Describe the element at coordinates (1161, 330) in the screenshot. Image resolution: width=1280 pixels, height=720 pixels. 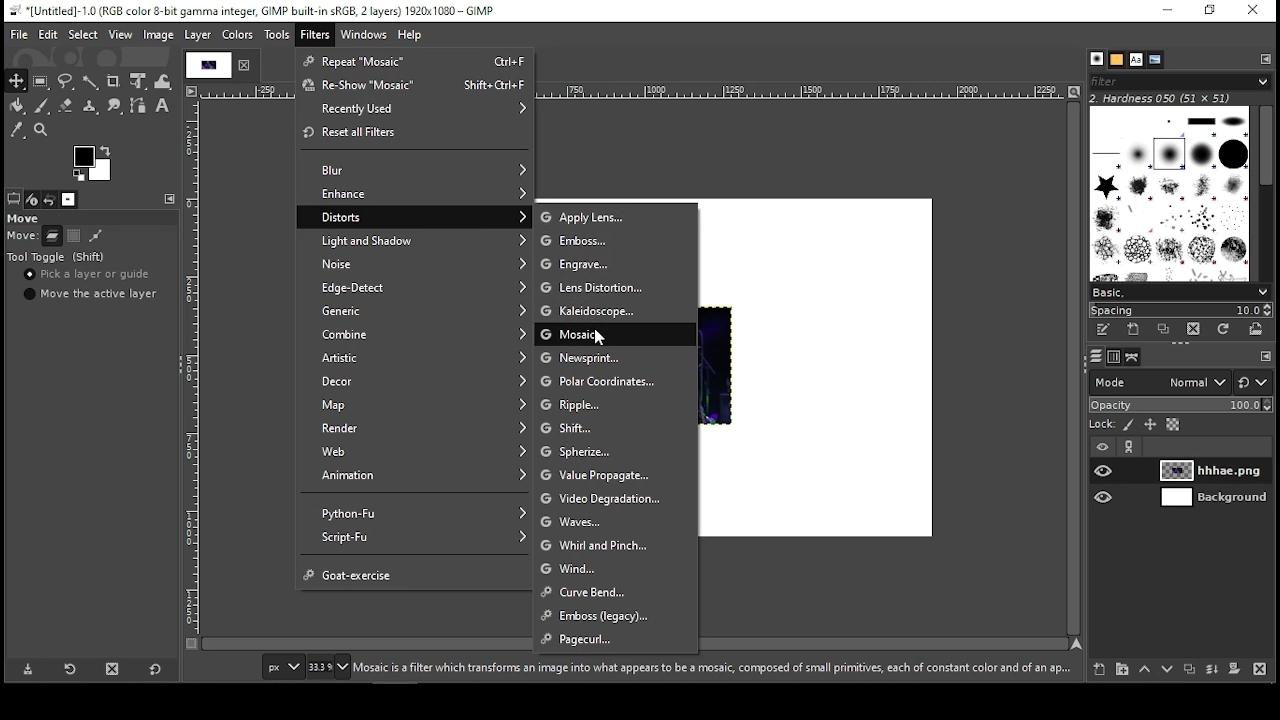
I see `duplicate this brush` at that location.